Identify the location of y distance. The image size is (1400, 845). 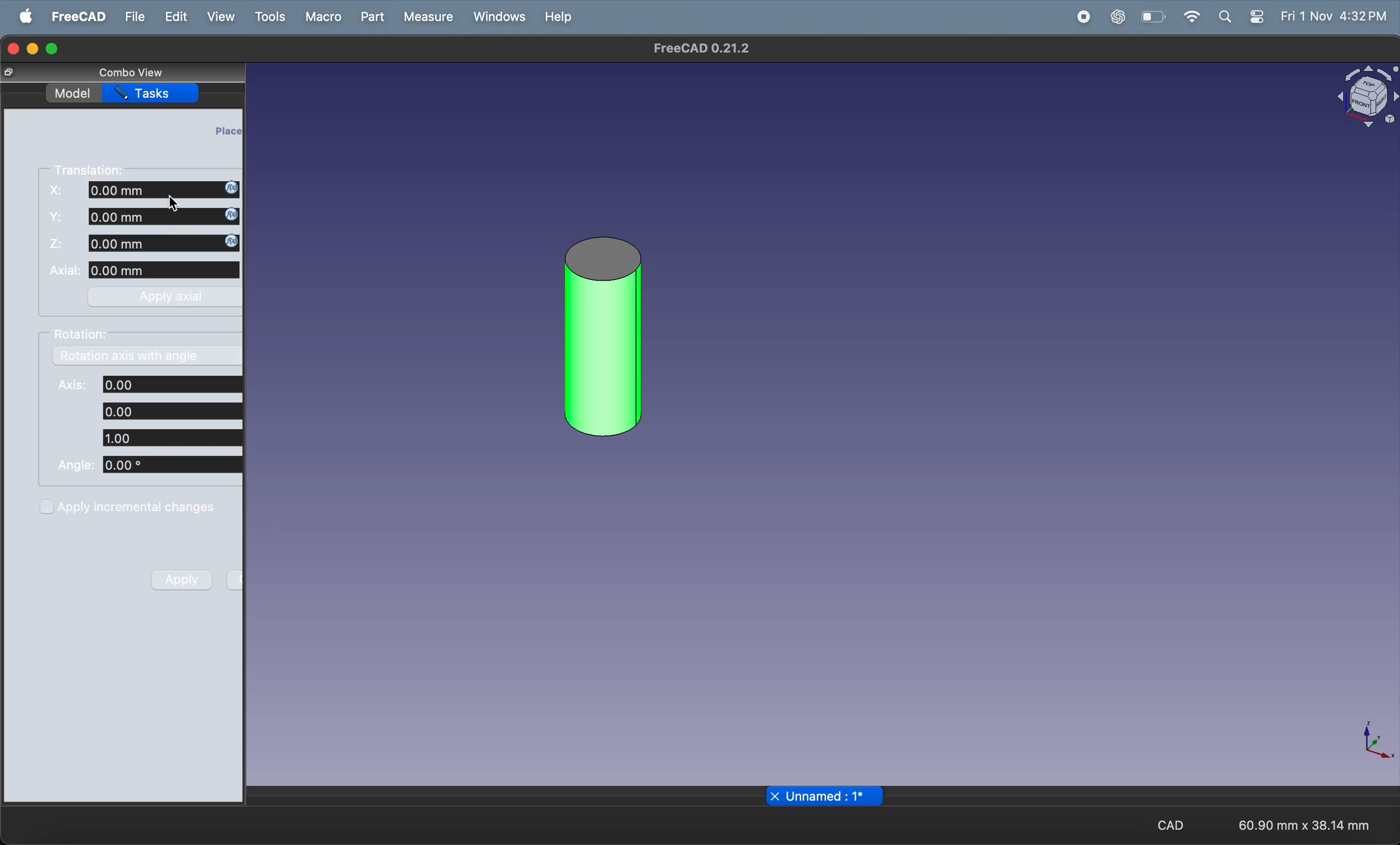
(162, 216).